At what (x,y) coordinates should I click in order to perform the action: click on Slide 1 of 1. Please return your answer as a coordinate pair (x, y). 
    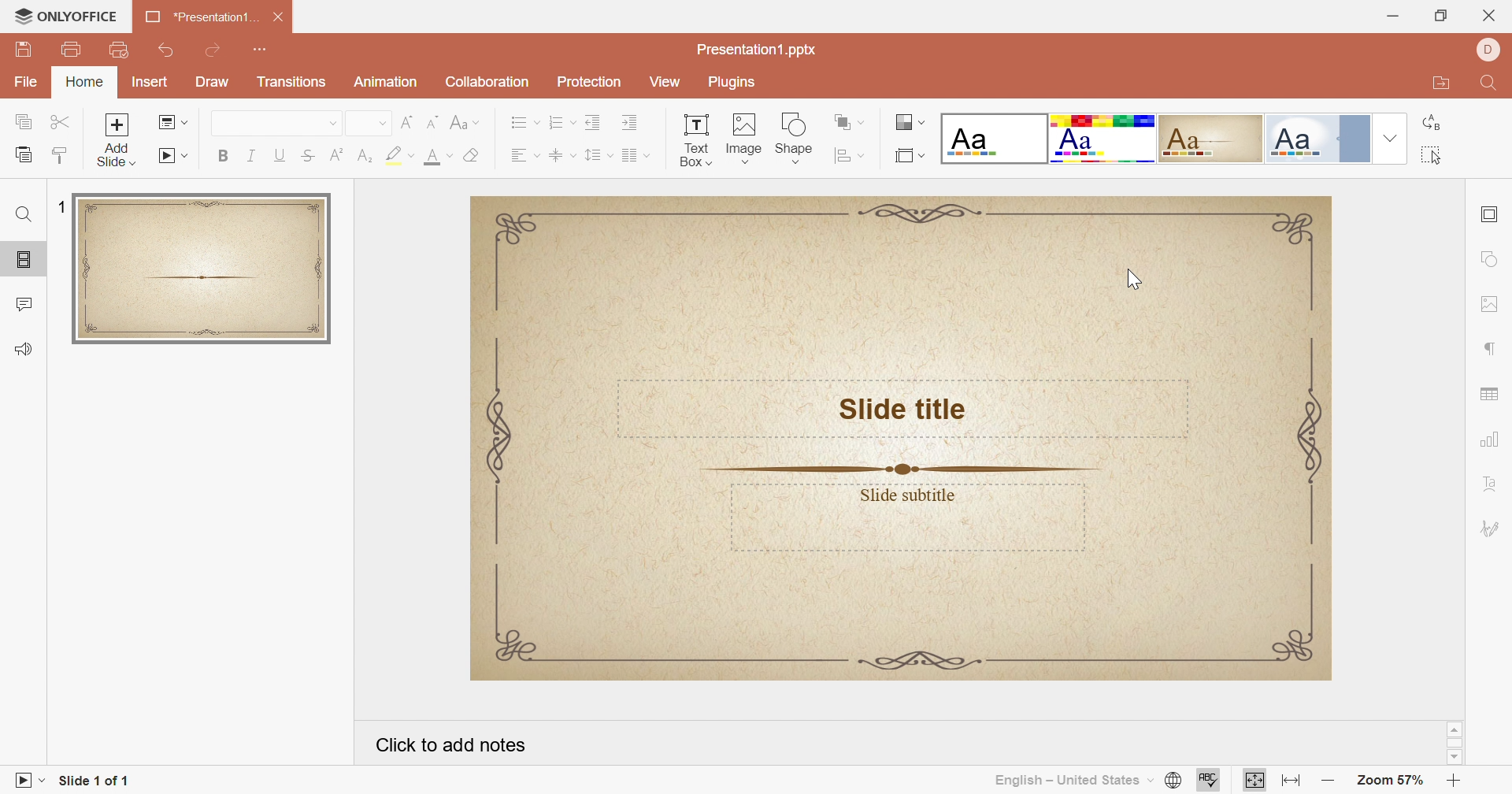
    Looking at the image, I should click on (98, 778).